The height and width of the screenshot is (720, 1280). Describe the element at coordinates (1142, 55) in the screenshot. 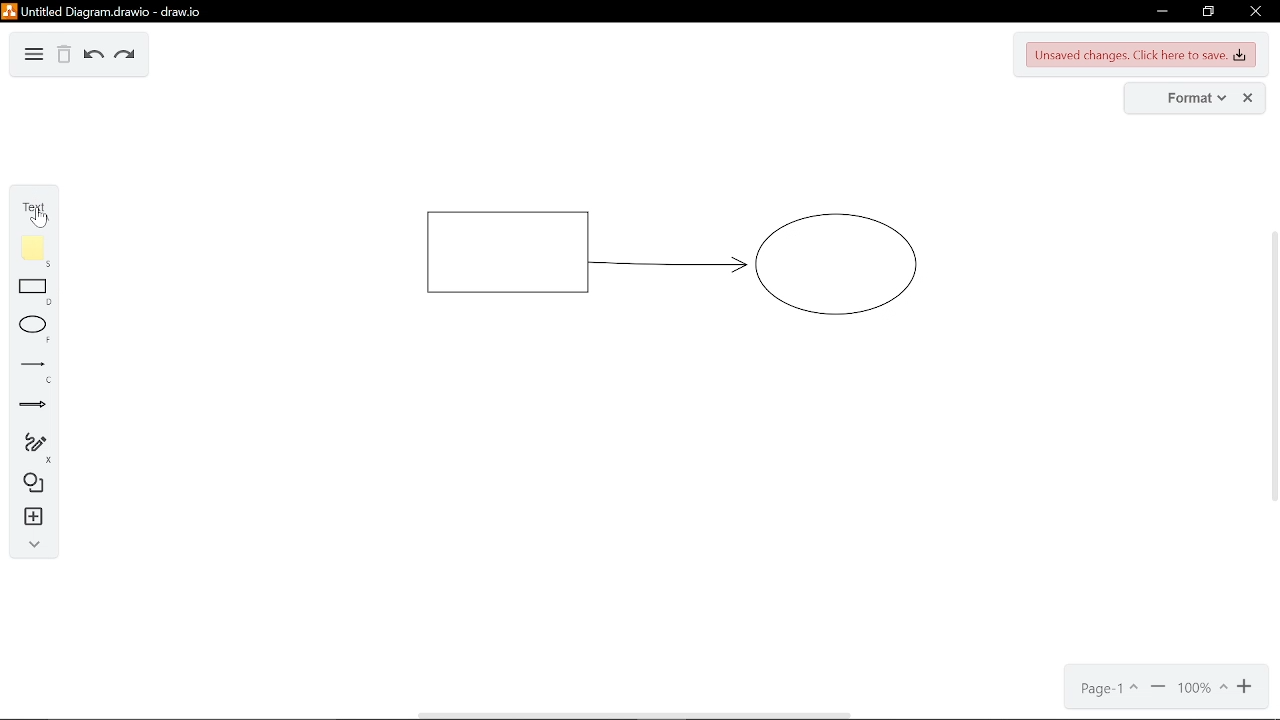

I see `unsaved changes. Click here to save` at that location.